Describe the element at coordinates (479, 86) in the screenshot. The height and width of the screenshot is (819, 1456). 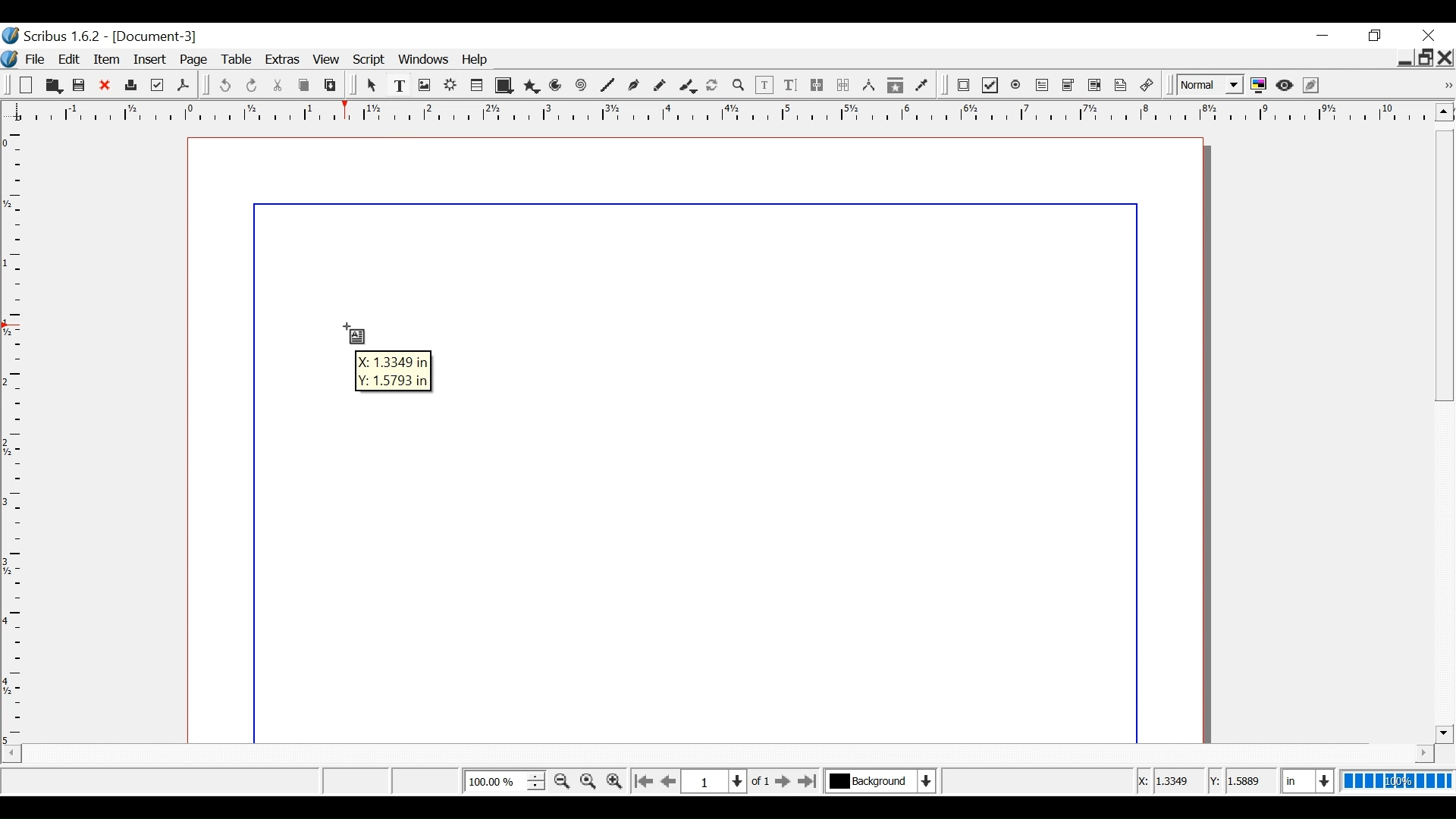
I see `Table` at that location.